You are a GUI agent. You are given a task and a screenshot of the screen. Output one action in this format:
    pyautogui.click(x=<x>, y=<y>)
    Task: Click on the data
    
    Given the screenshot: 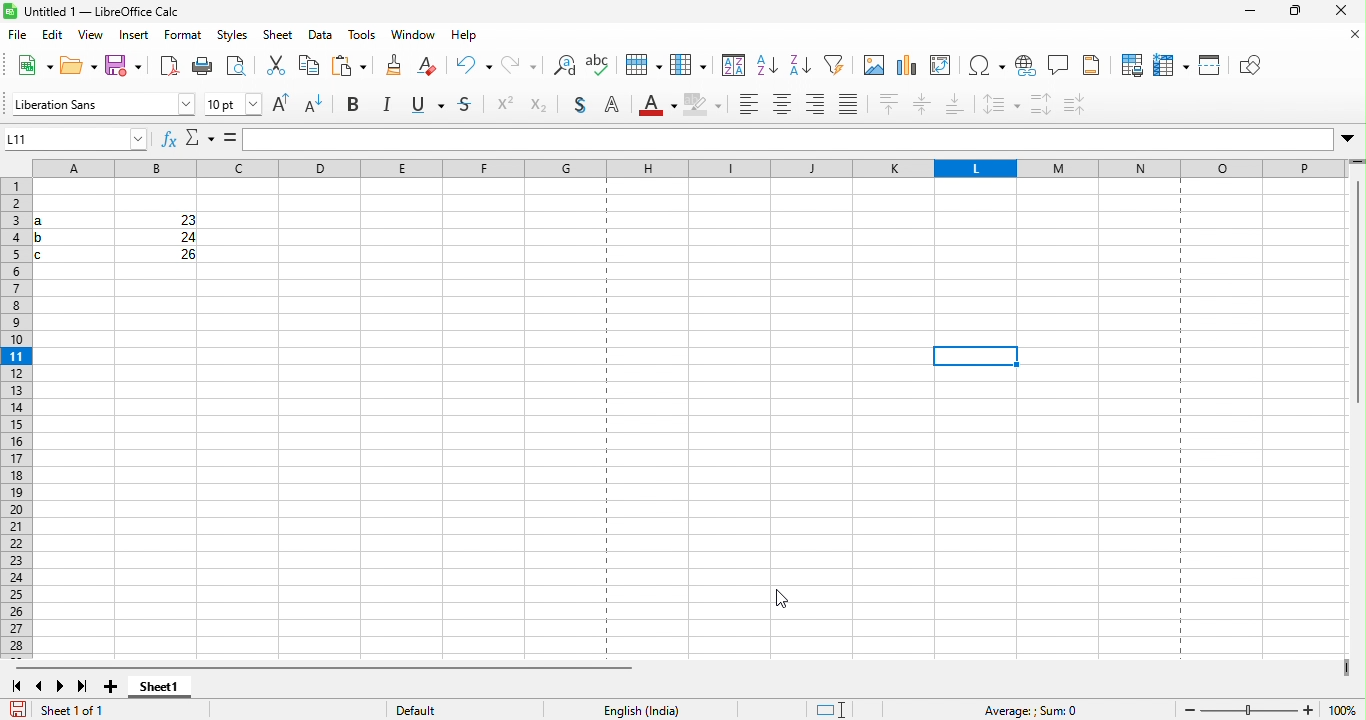 What is the action you would take?
    pyautogui.click(x=317, y=39)
    